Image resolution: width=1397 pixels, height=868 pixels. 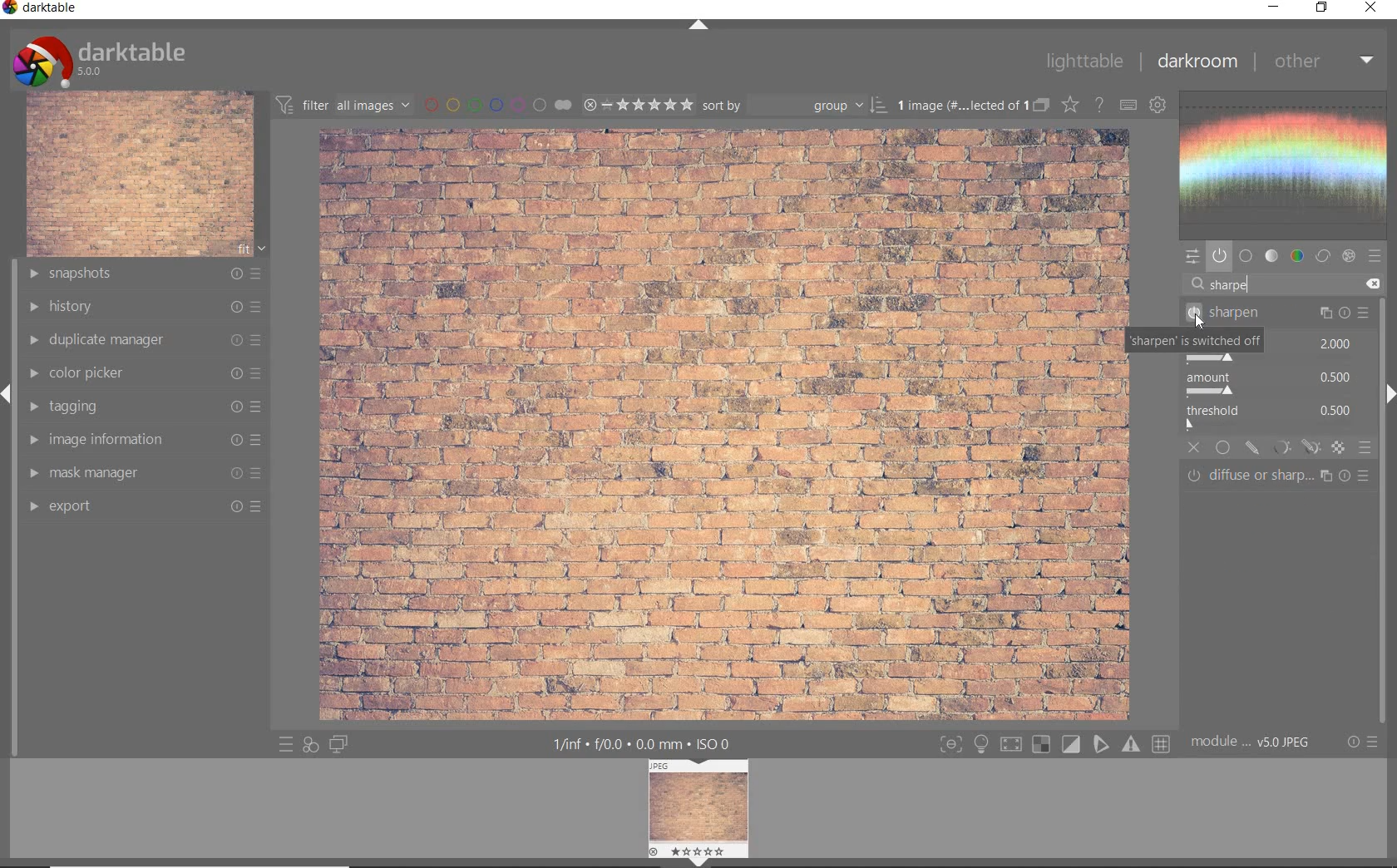 I want to click on define keyboard shortcut, so click(x=1127, y=106).